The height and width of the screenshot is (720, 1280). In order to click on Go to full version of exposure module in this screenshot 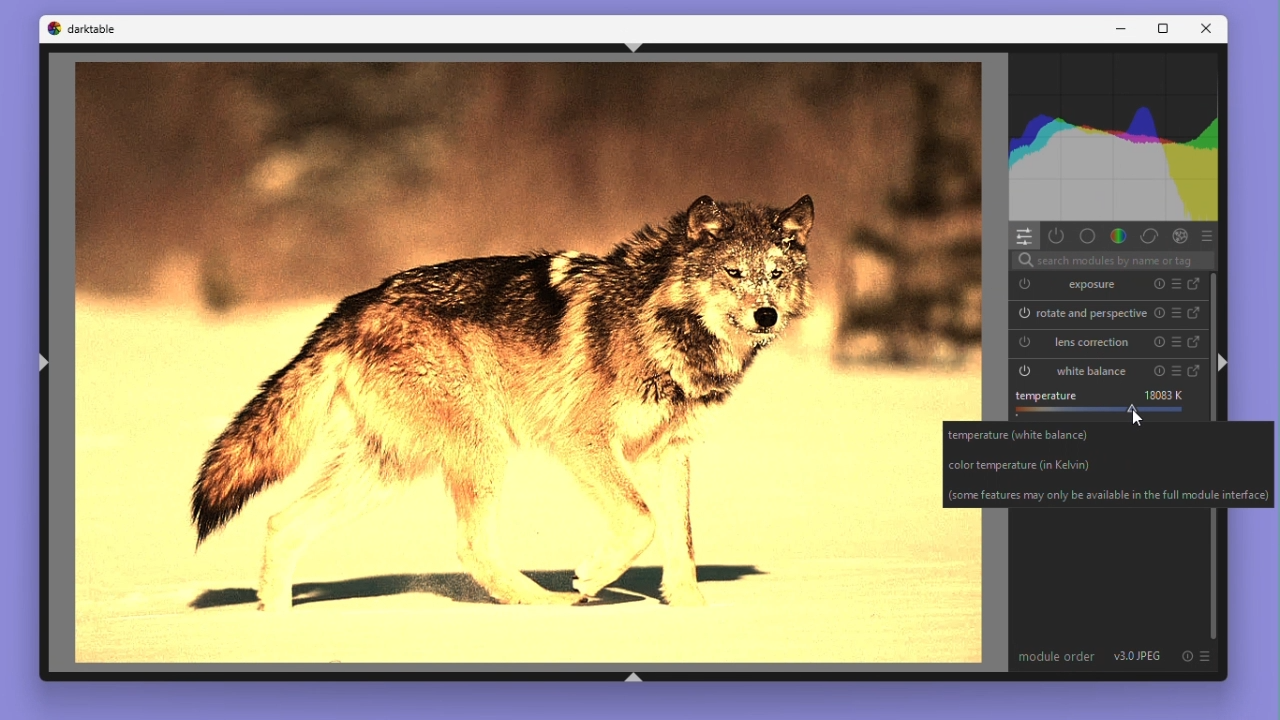, I will do `click(1197, 284)`.